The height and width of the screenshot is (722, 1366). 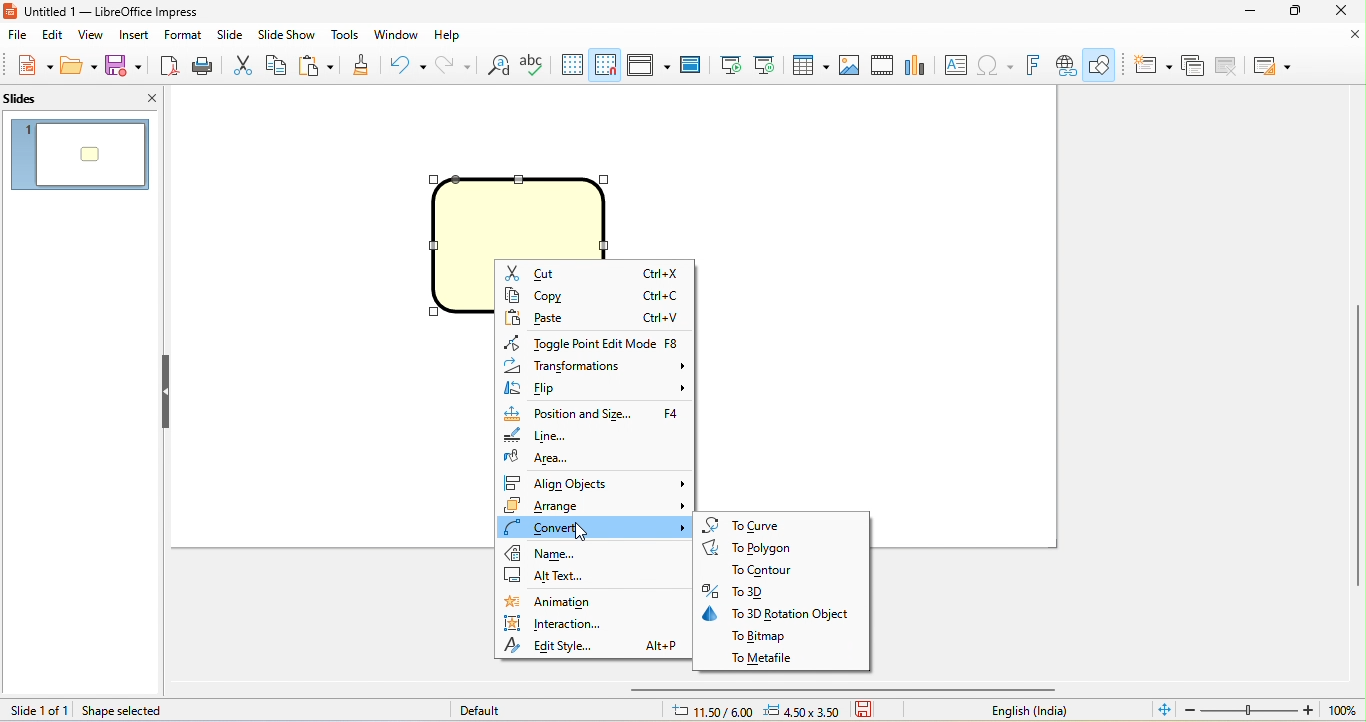 I want to click on align objects, so click(x=594, y=485).